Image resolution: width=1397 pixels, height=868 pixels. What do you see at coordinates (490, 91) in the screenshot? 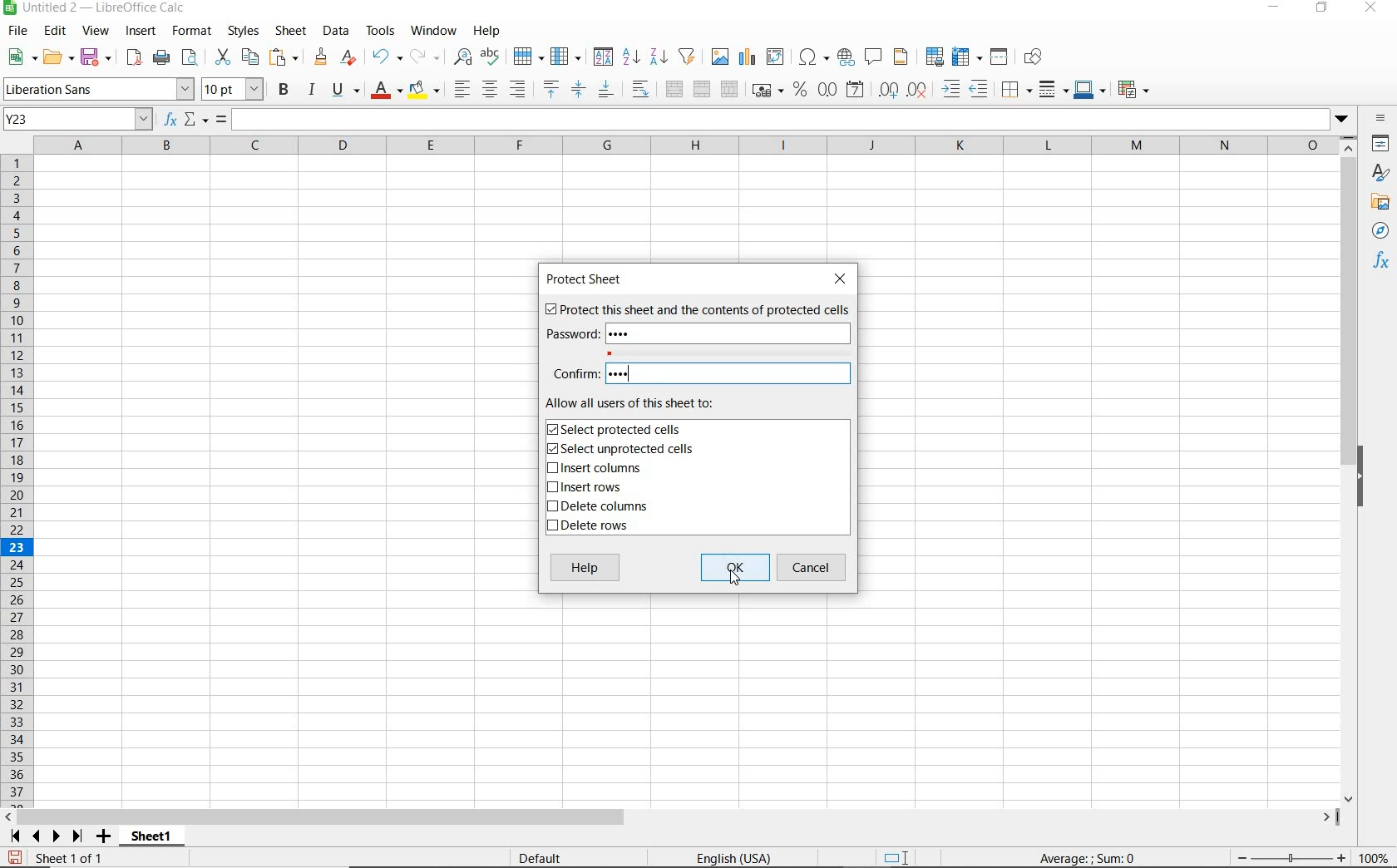
I see `ALIGN CENTER` at bounding box center [490, 91].